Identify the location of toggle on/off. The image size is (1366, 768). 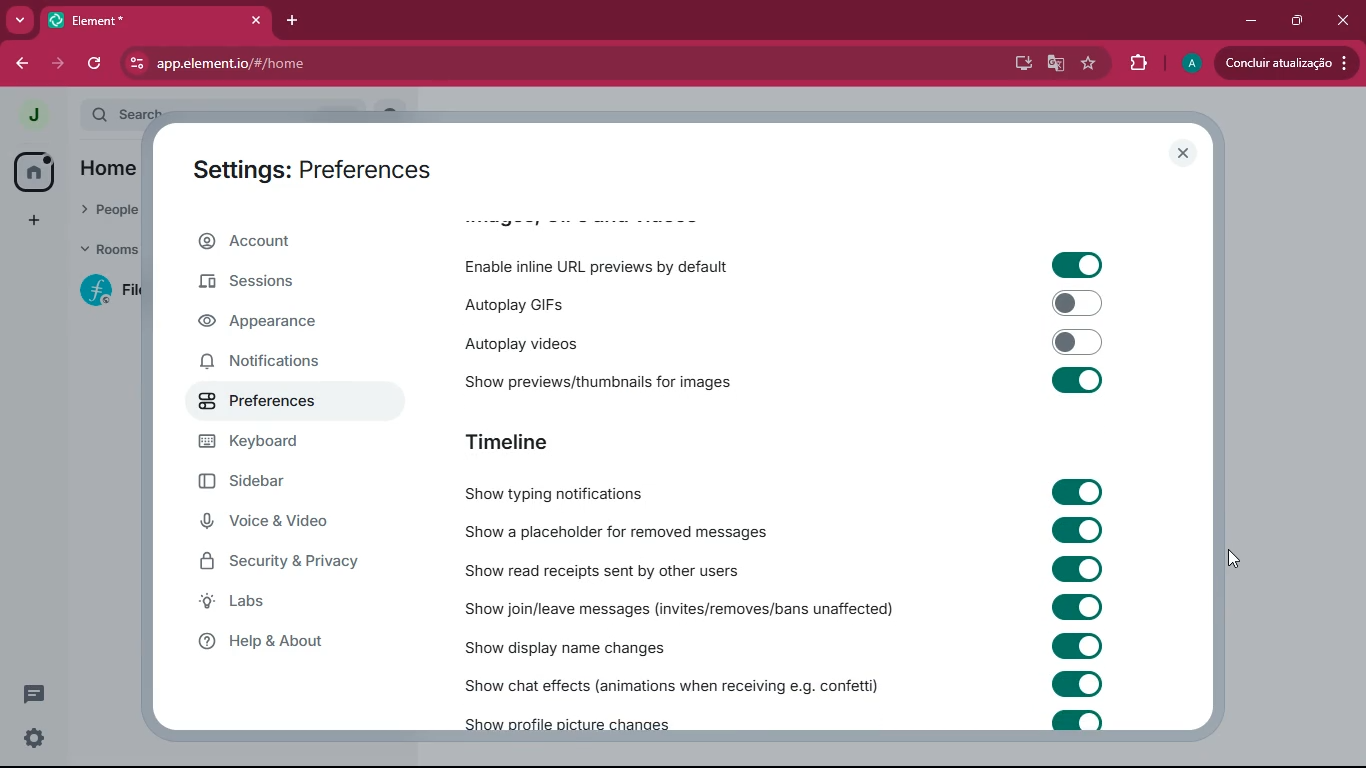
(1077, 568).